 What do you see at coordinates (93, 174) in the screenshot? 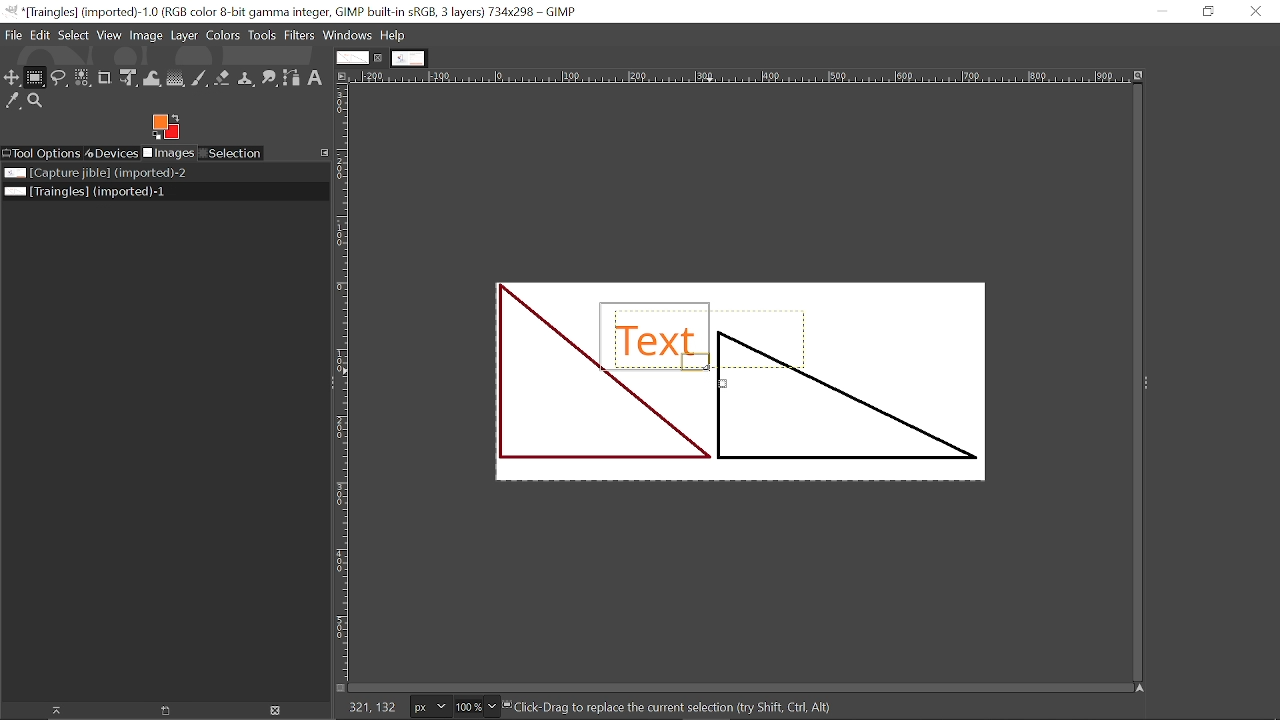
I see `Image file titled "Capture jible"` at bounding box center [93, 174].